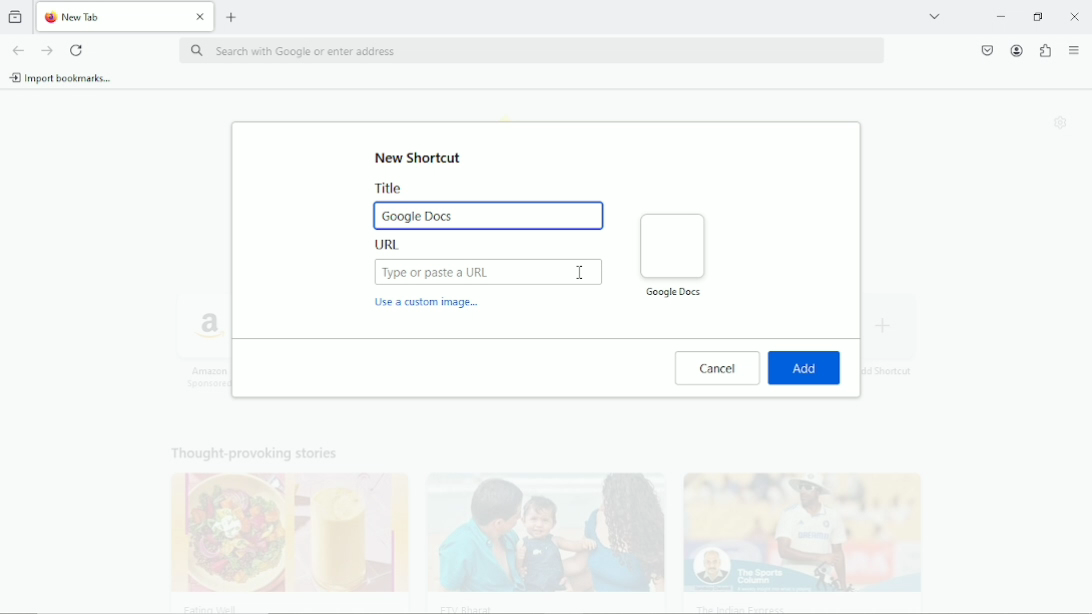 This screenshot has width=1092, height=614. I want to click on Use a custom image, so click(429, 305).